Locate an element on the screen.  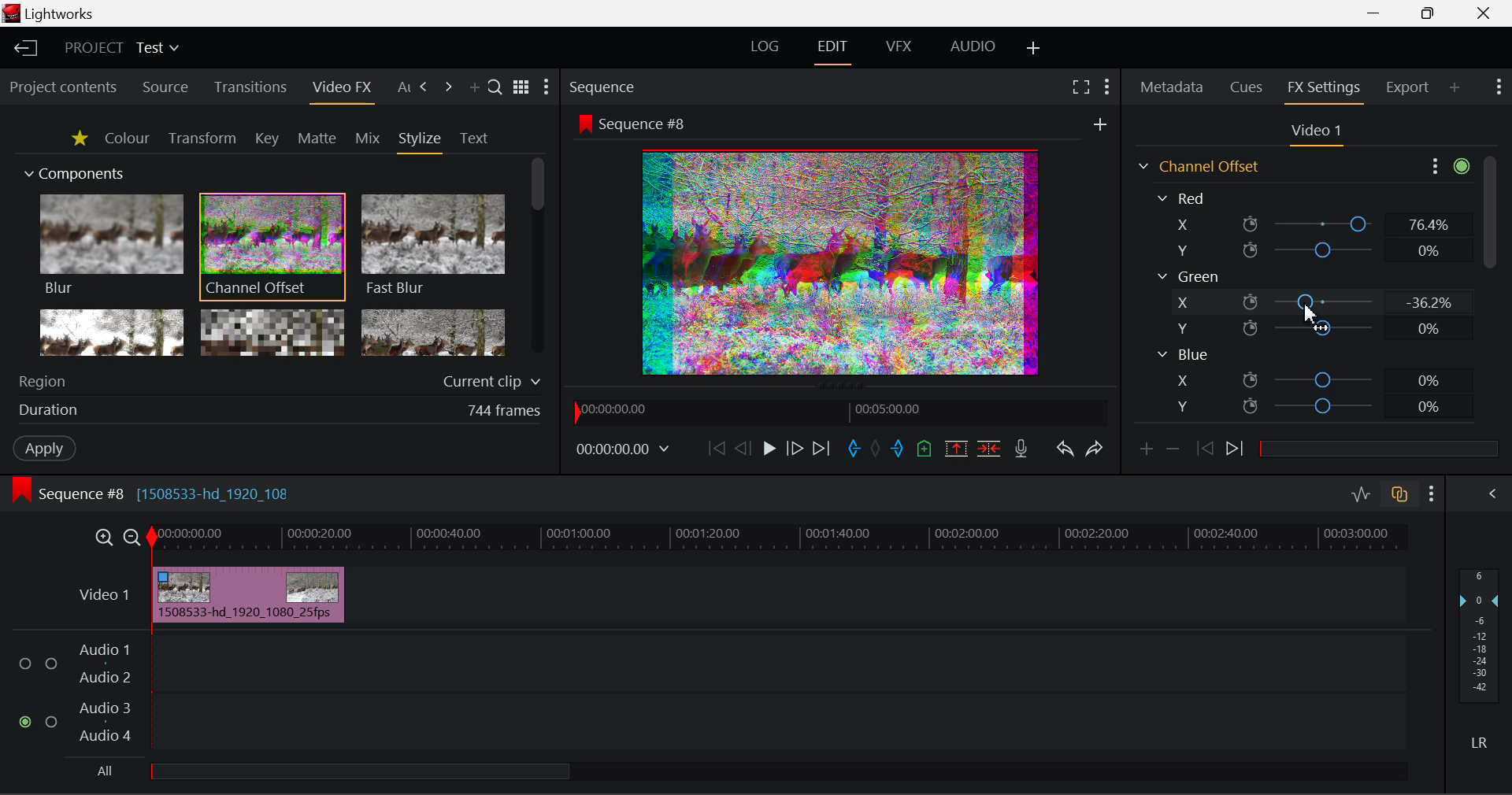
Add Layout is located at coordinates (1034, 51).